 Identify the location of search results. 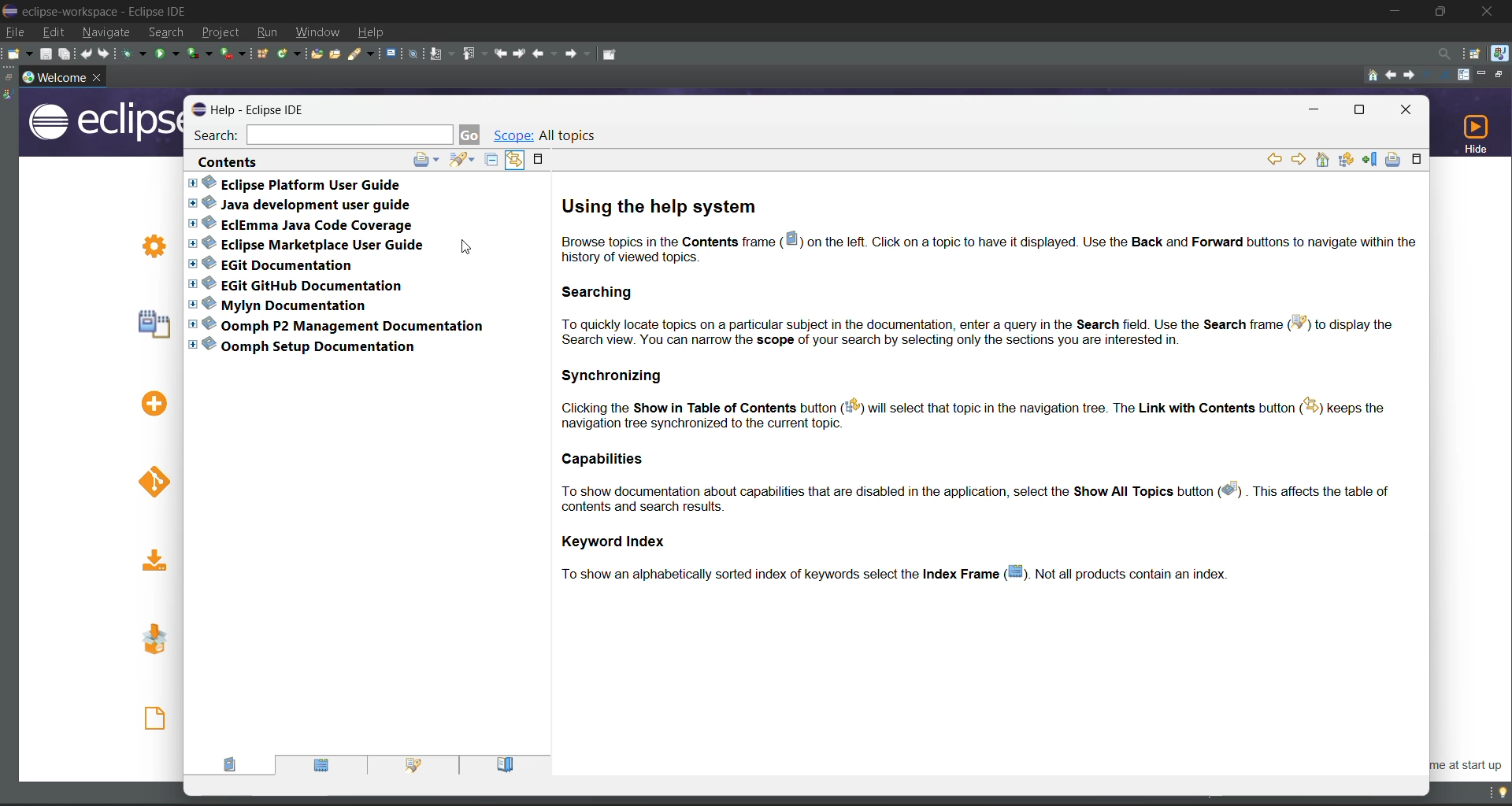
(418, 764).